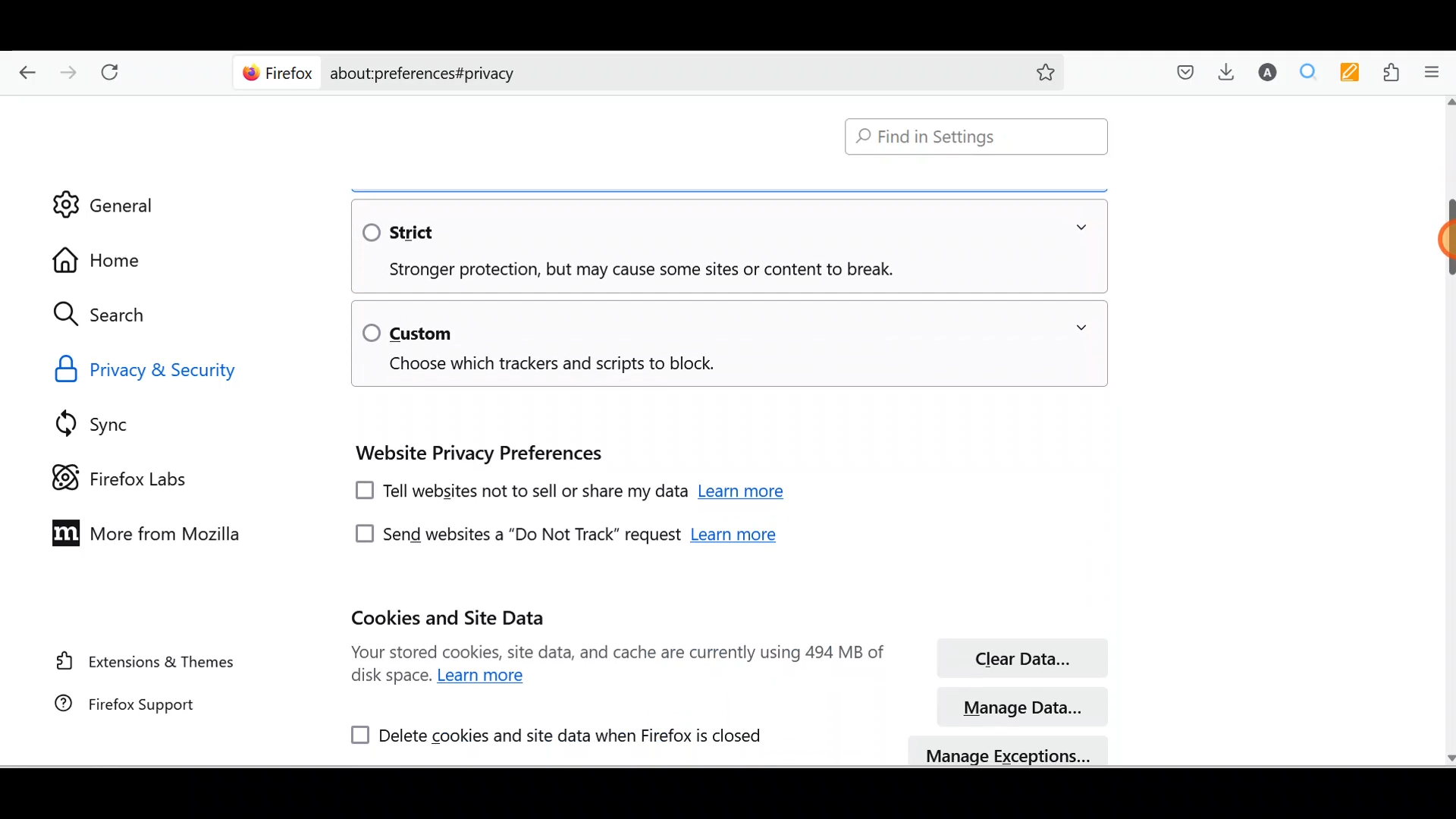 This screenshot has width=1456, height=819. Describe the element at coordinates (617, 651) in the screenshot. I see `Your stored cookies, site data, and cache are currently using 494 MB of` at that location.